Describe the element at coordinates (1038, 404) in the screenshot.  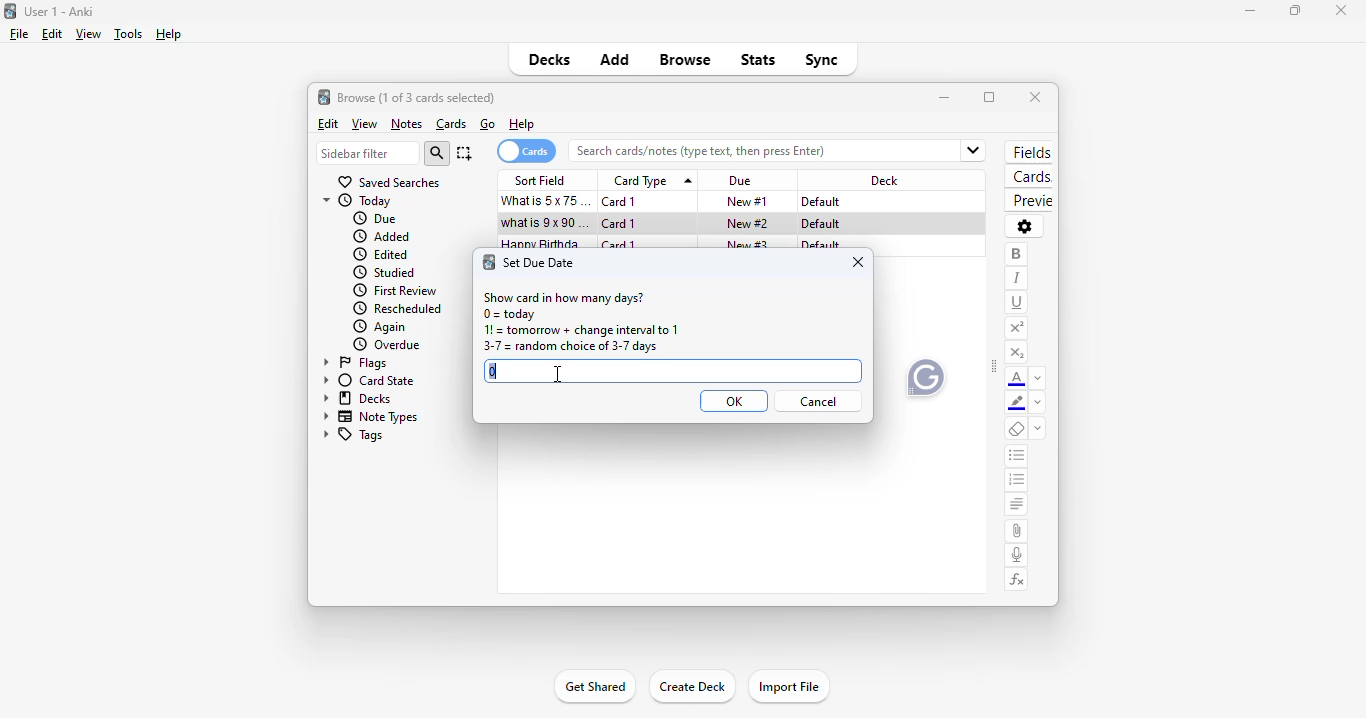
I see `remove color` at that location.